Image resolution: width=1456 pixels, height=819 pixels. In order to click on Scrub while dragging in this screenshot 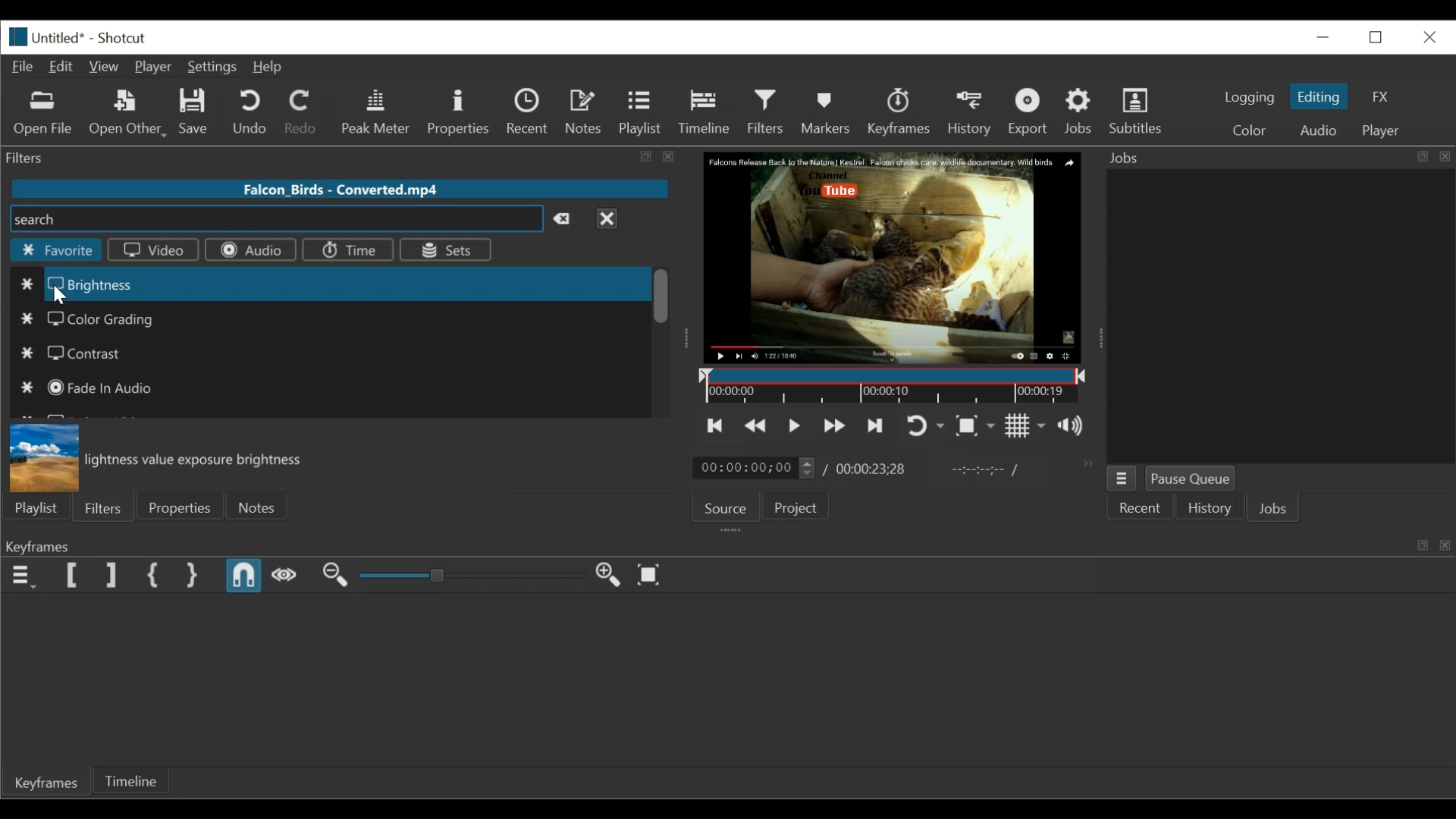, I will do `click(284, 576)`.